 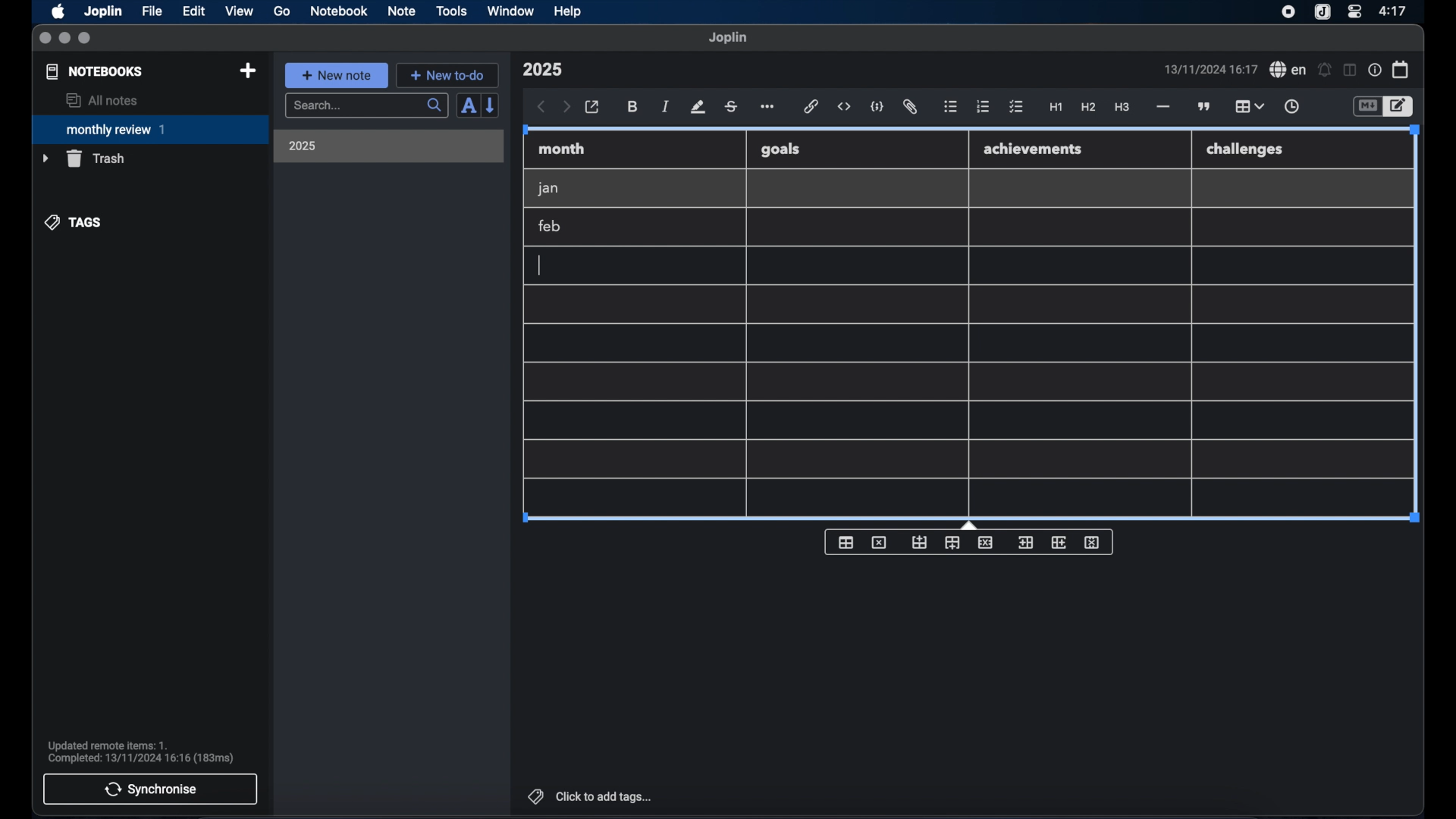 What do you see at coordinates (728, 37) in the screenshot?
I see `joplin` at bounding box center [728, 37].